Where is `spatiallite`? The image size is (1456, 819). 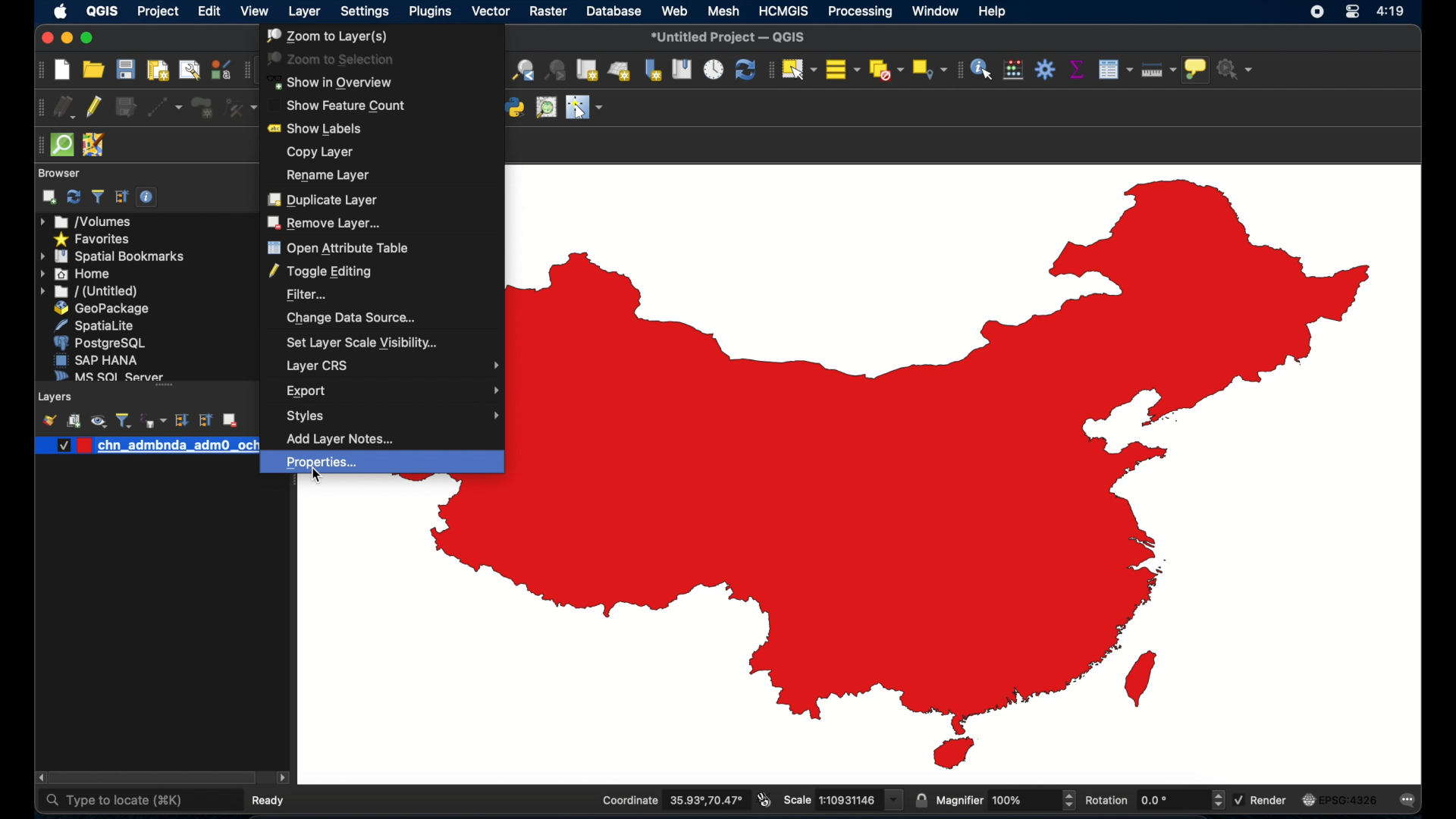 spatiallite is located at coordinates (99, 325).